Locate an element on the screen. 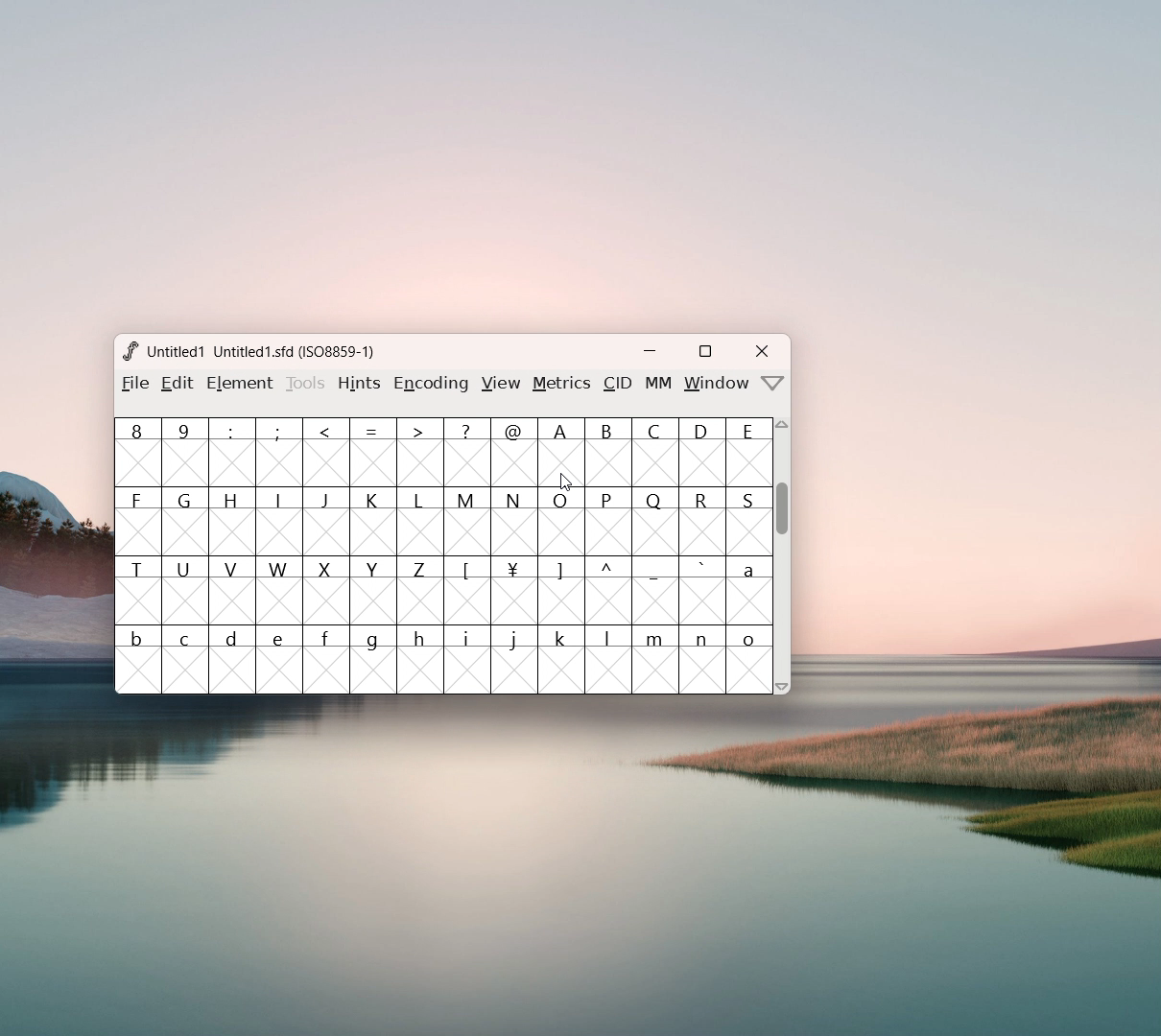 The image size is (1161, 1036). b is located at coordinates (138, 659).